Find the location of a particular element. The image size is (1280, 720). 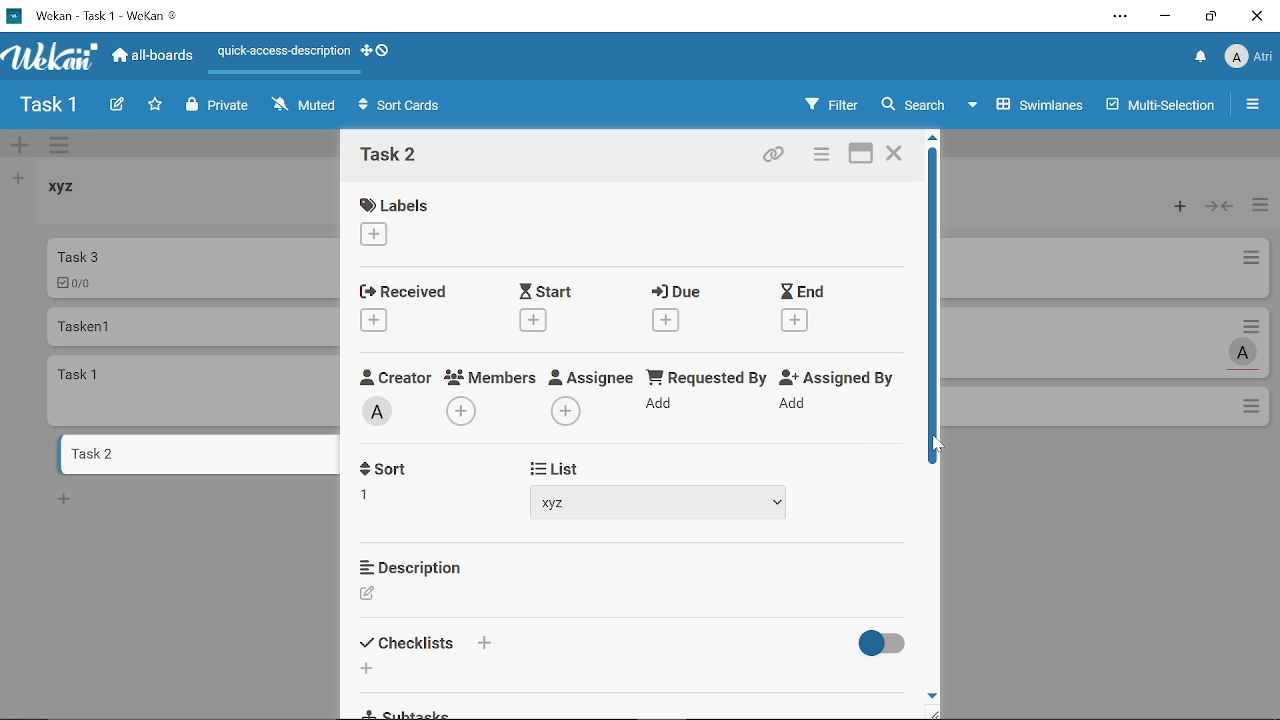

Swimlanes is located at coordinates (1028, 103).